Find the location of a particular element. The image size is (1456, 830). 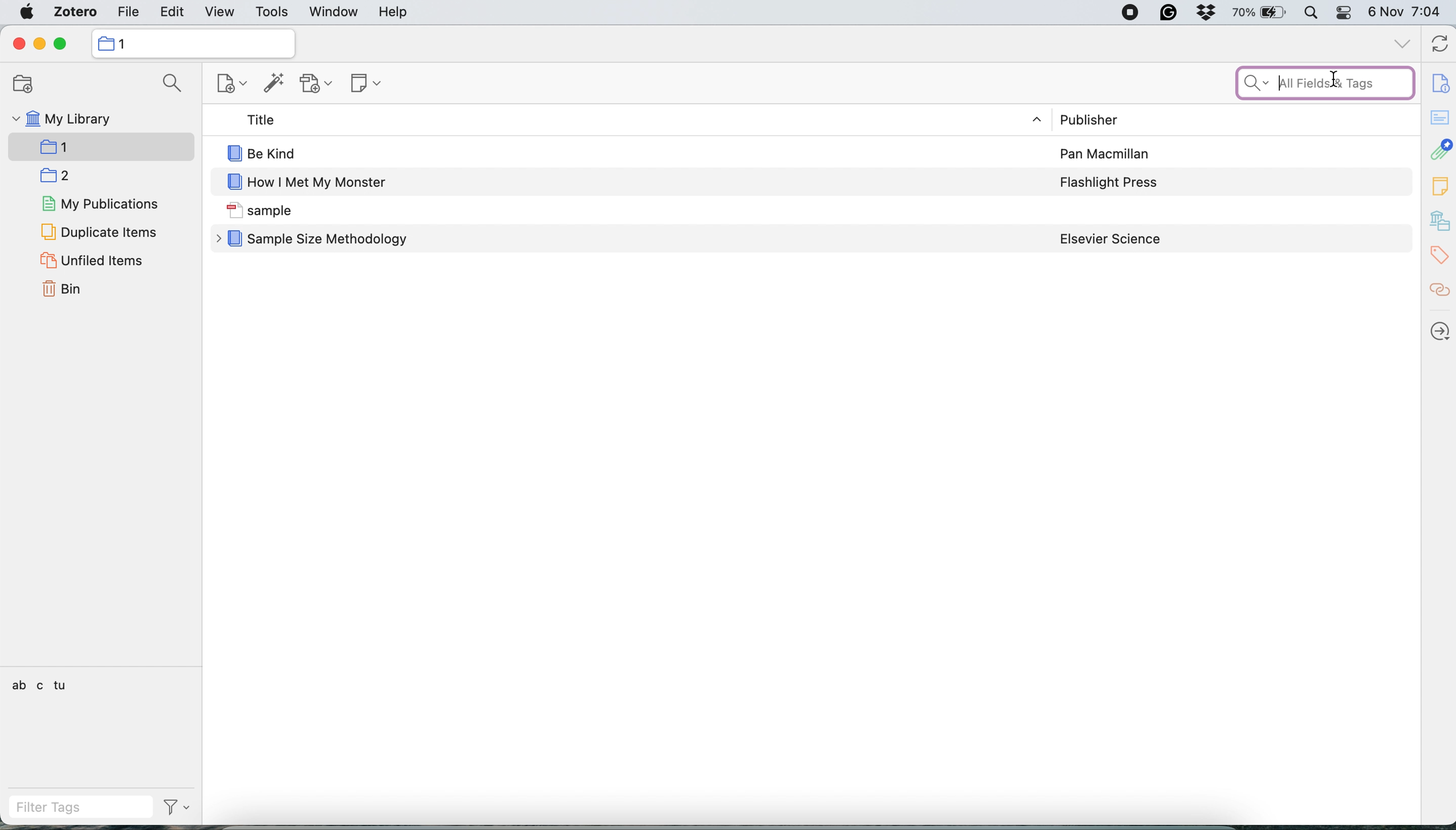

collection 2 is located at coordinates (60, 176).